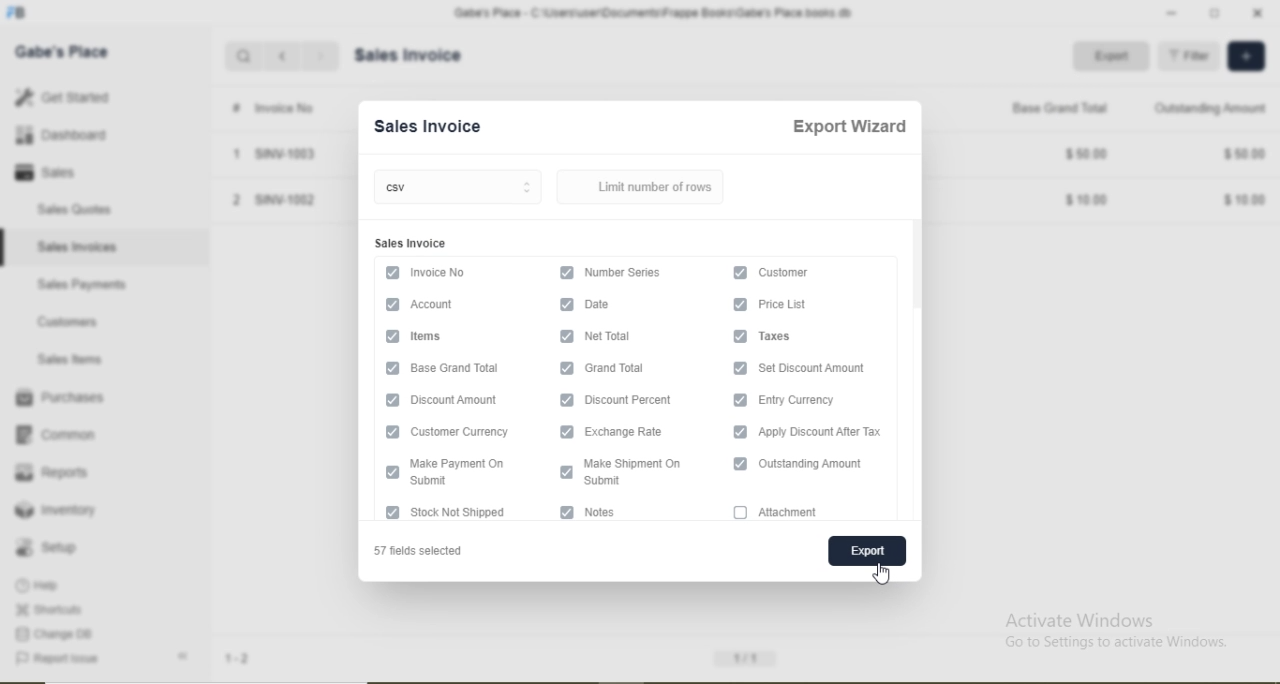 The height and width of the screenshot is (684, 1280). I want to click on Gabe's Place, so click(64, 51).